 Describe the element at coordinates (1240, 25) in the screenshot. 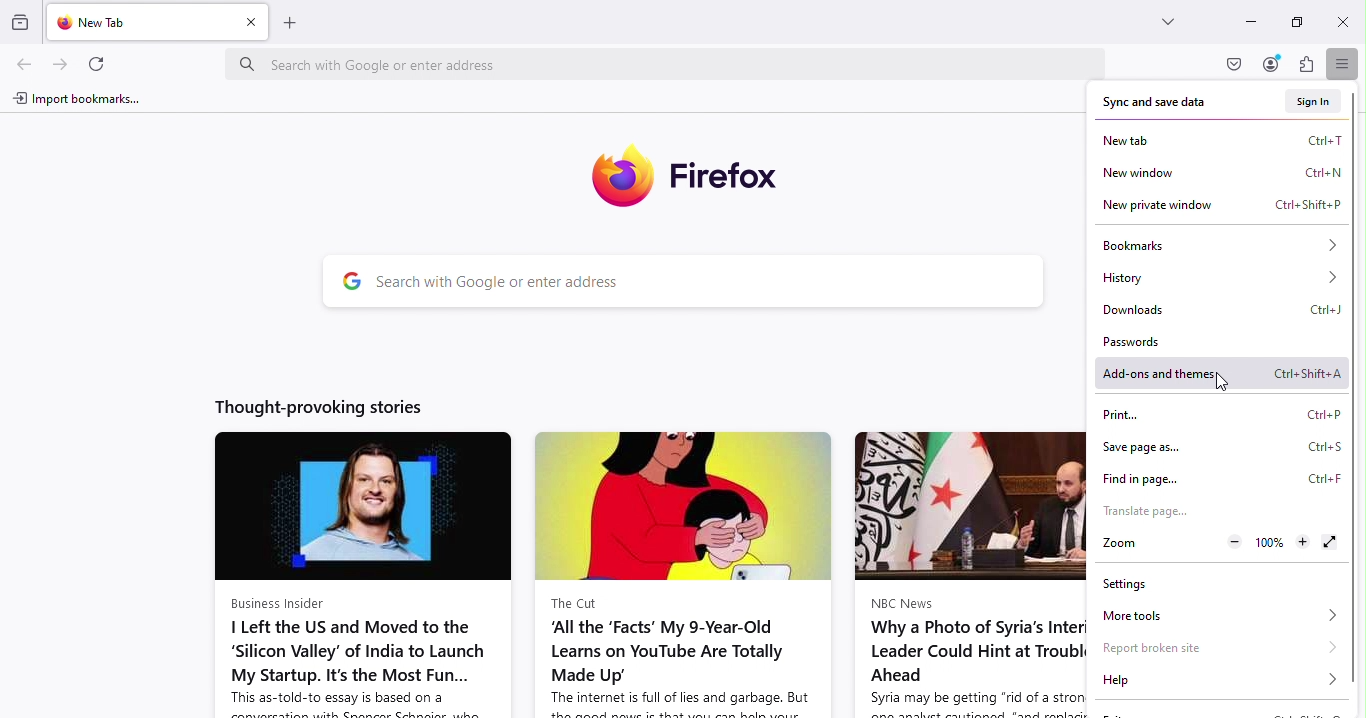

I see `Minimize` at that location.